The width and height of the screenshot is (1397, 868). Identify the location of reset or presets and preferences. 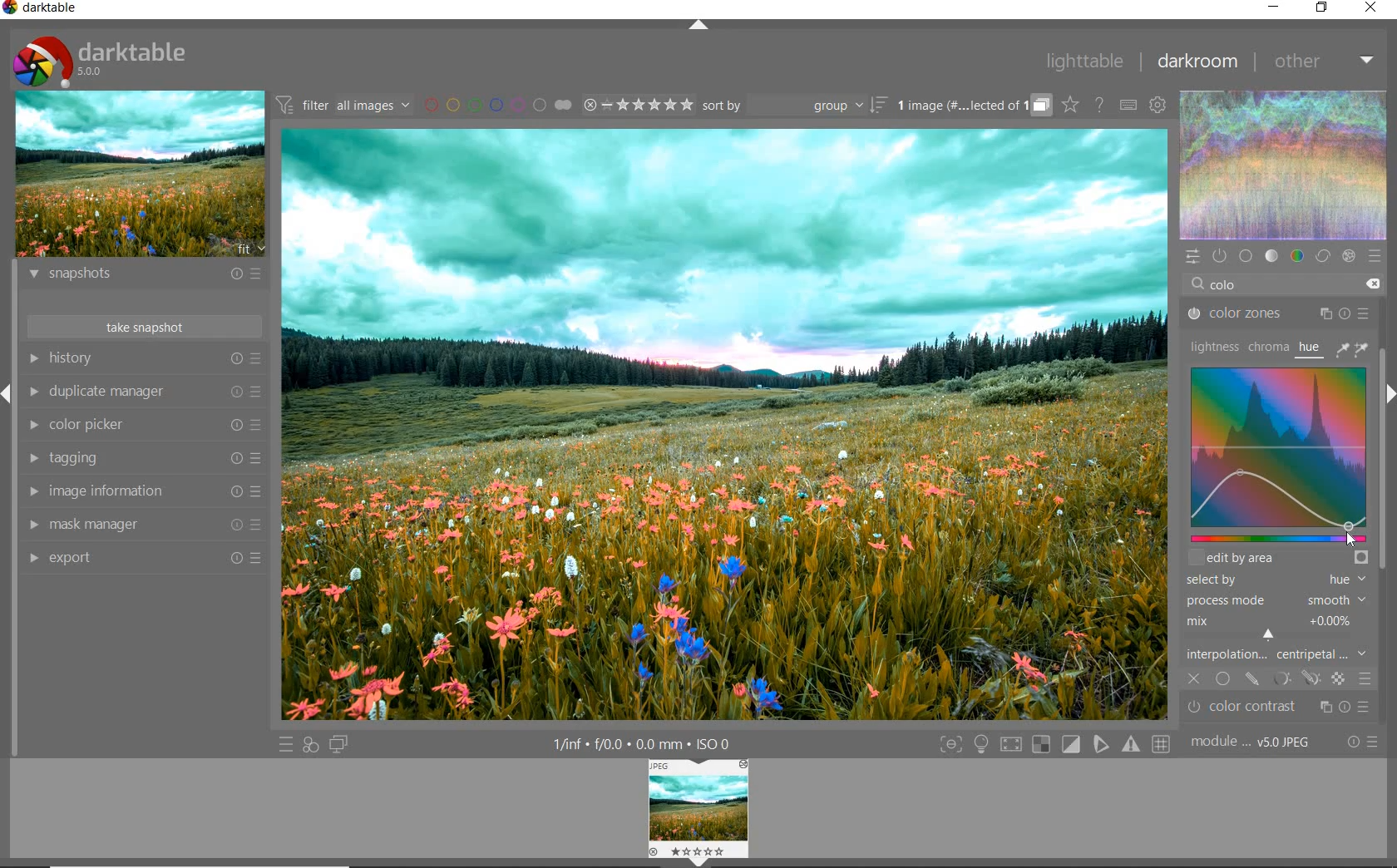
(1364, 742).